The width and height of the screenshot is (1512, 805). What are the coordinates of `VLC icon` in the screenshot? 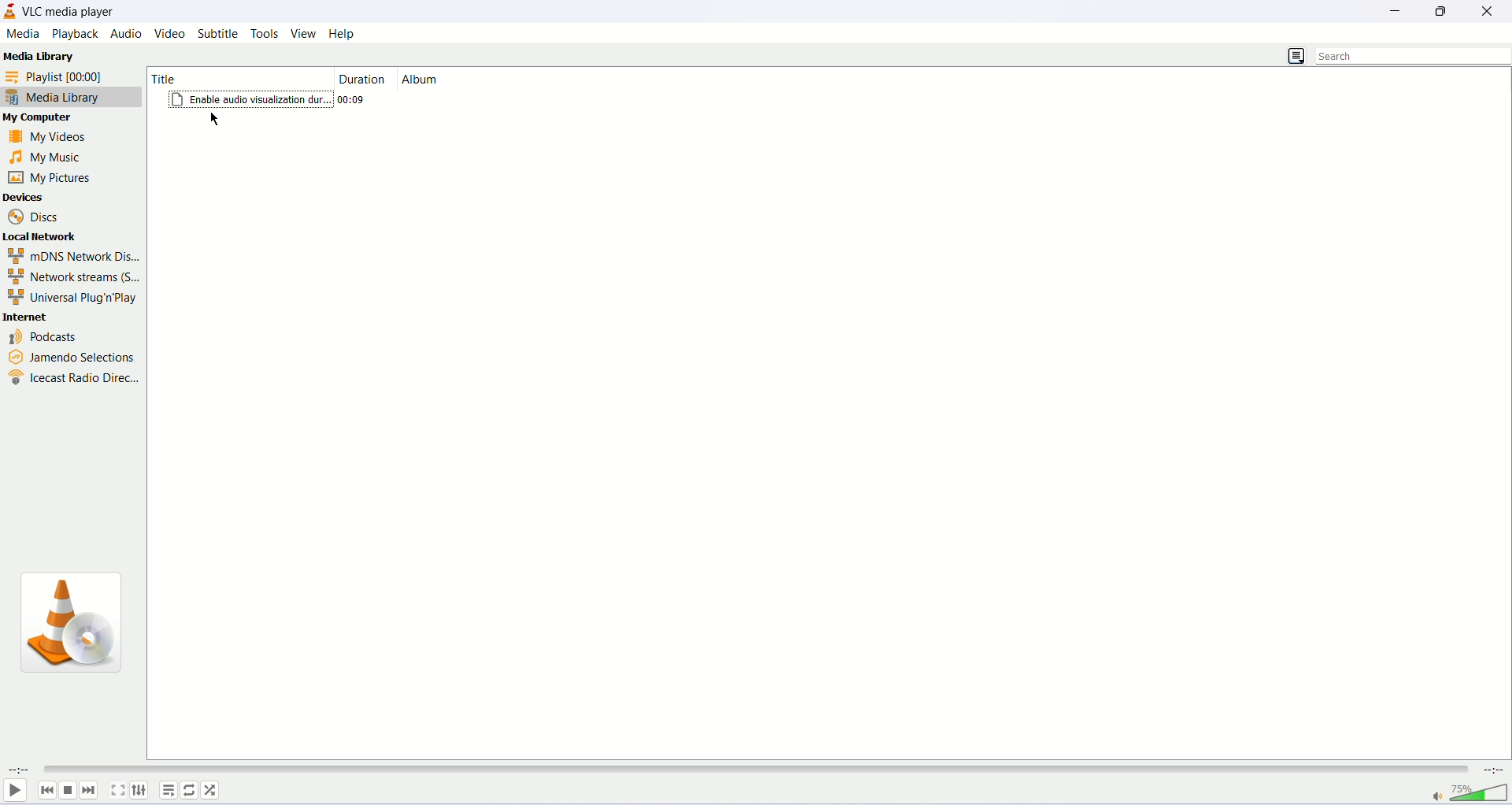 It's located at (80, 627).